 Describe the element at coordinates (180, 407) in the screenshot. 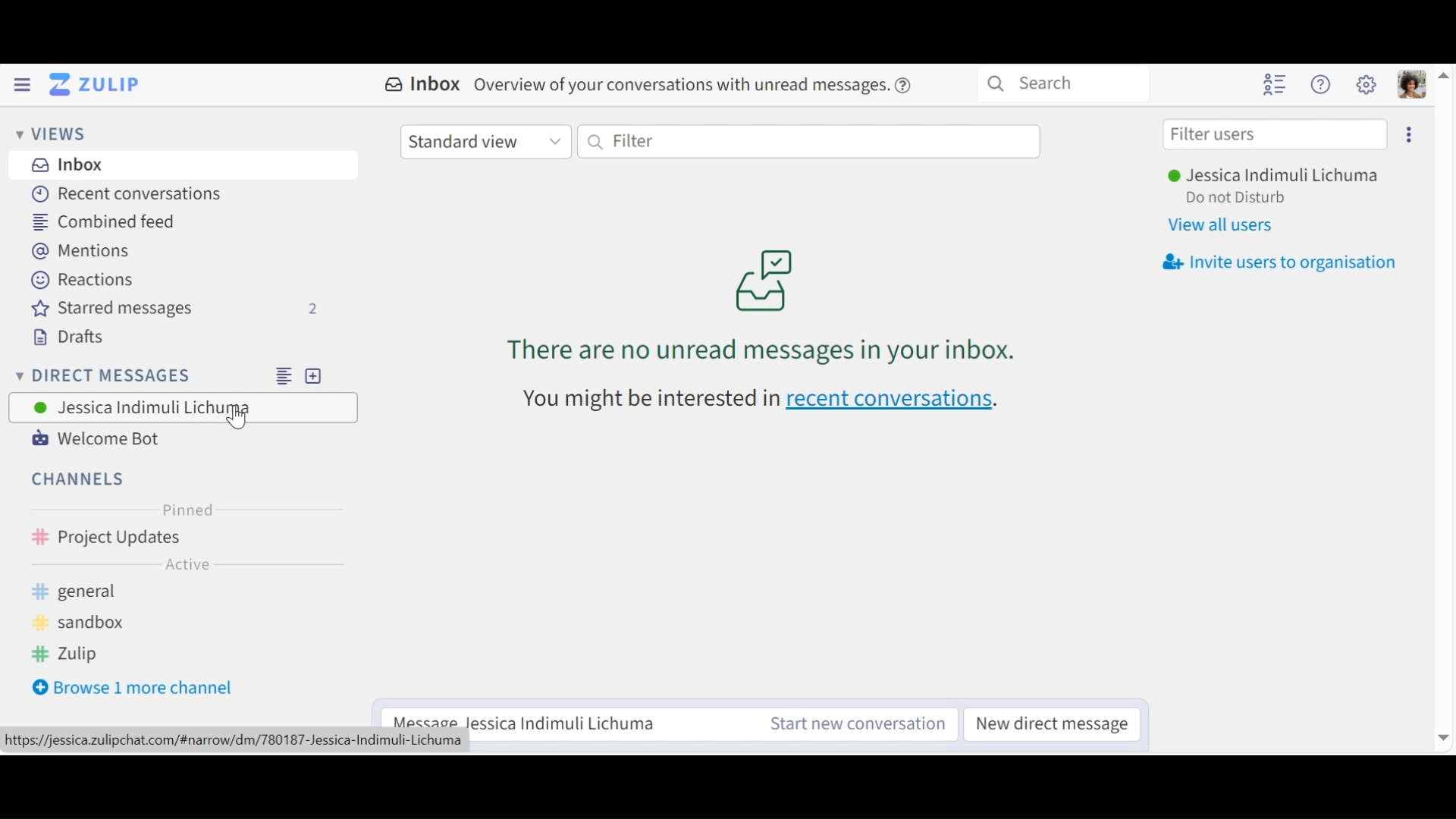

I see `User ` at that location.